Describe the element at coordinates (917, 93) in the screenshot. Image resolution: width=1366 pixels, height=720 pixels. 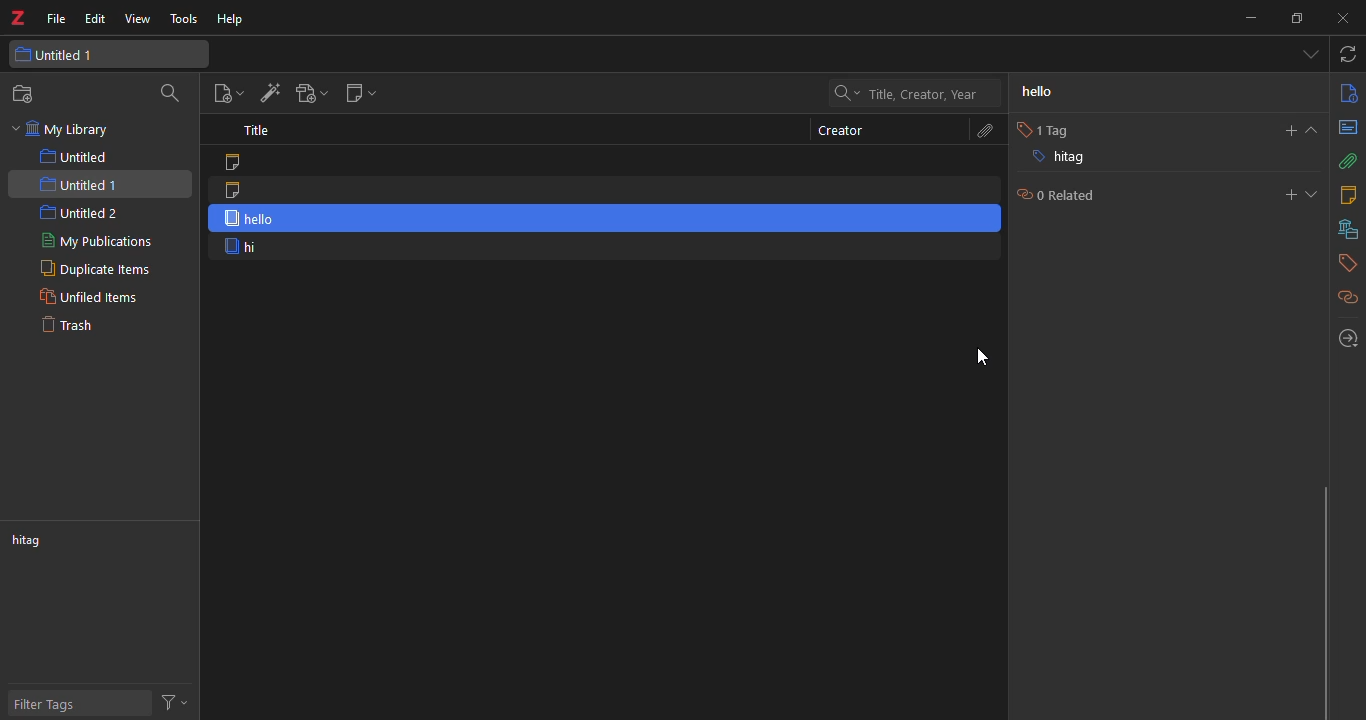
I see `search` at that location.